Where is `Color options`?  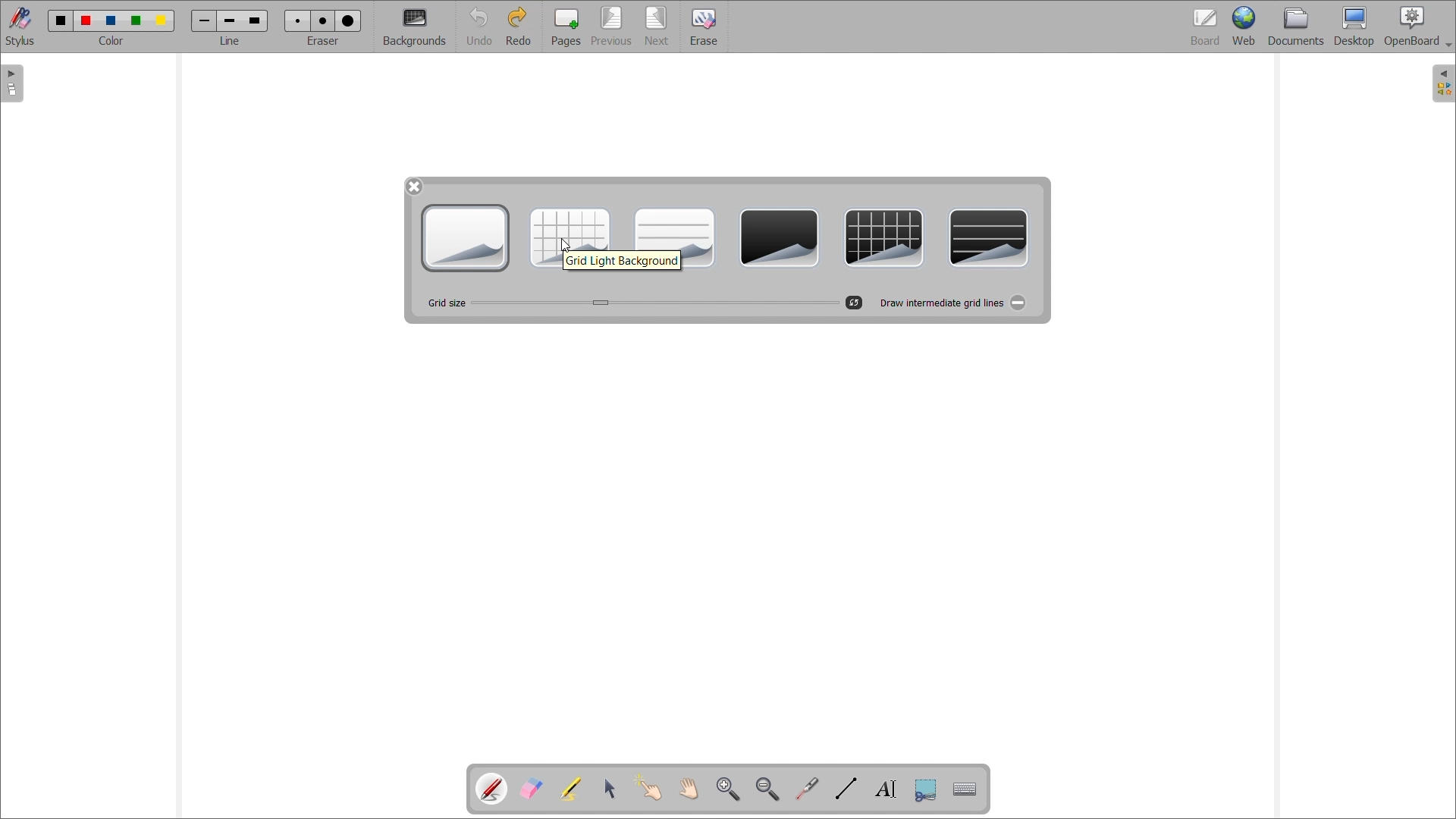 Color options is located at coordinates (111, 21).